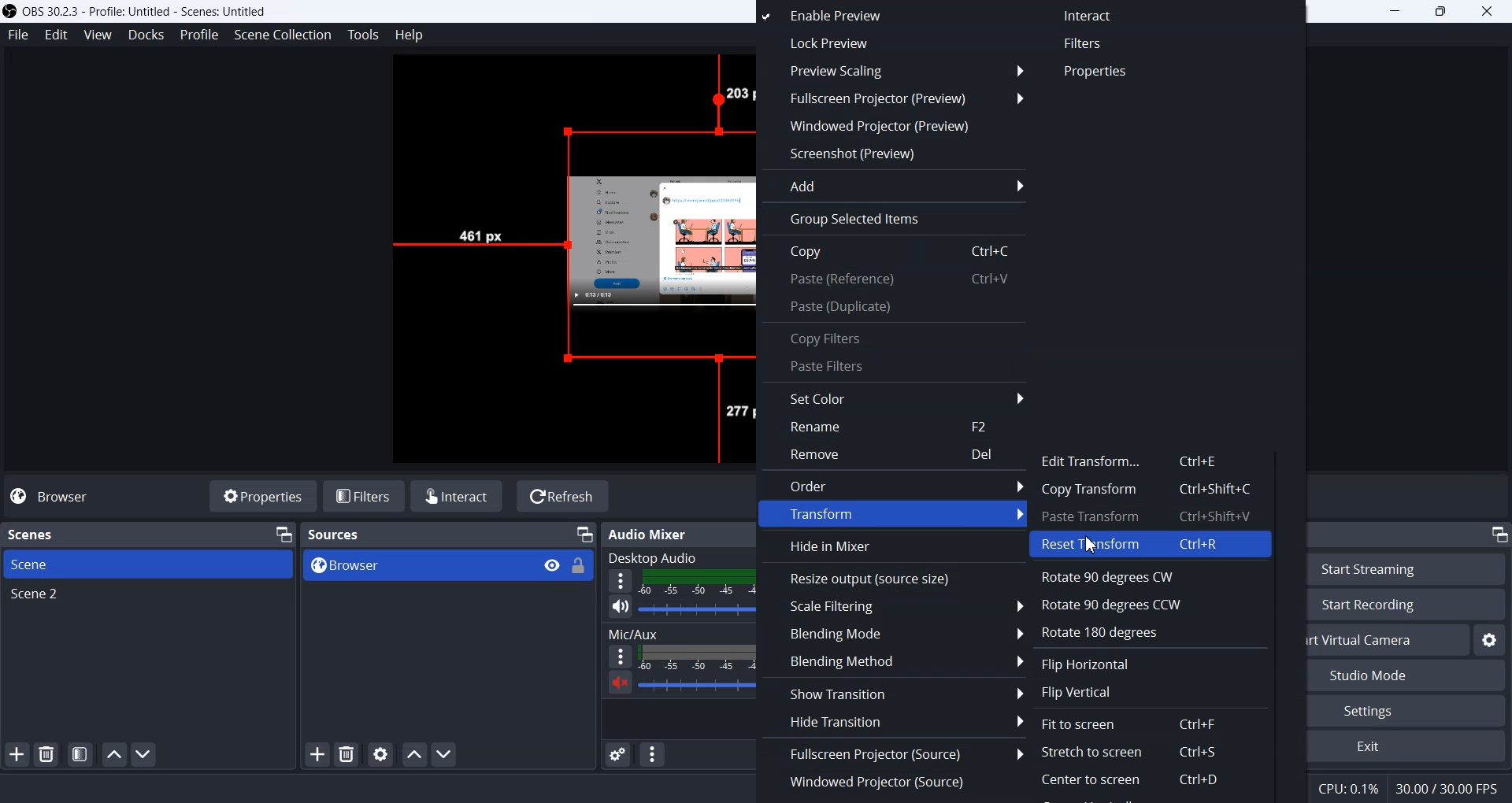  What do you see at coordinates (1096, 72) in the screenshot?
I see `Properties` at bounding box center [1096, 72].